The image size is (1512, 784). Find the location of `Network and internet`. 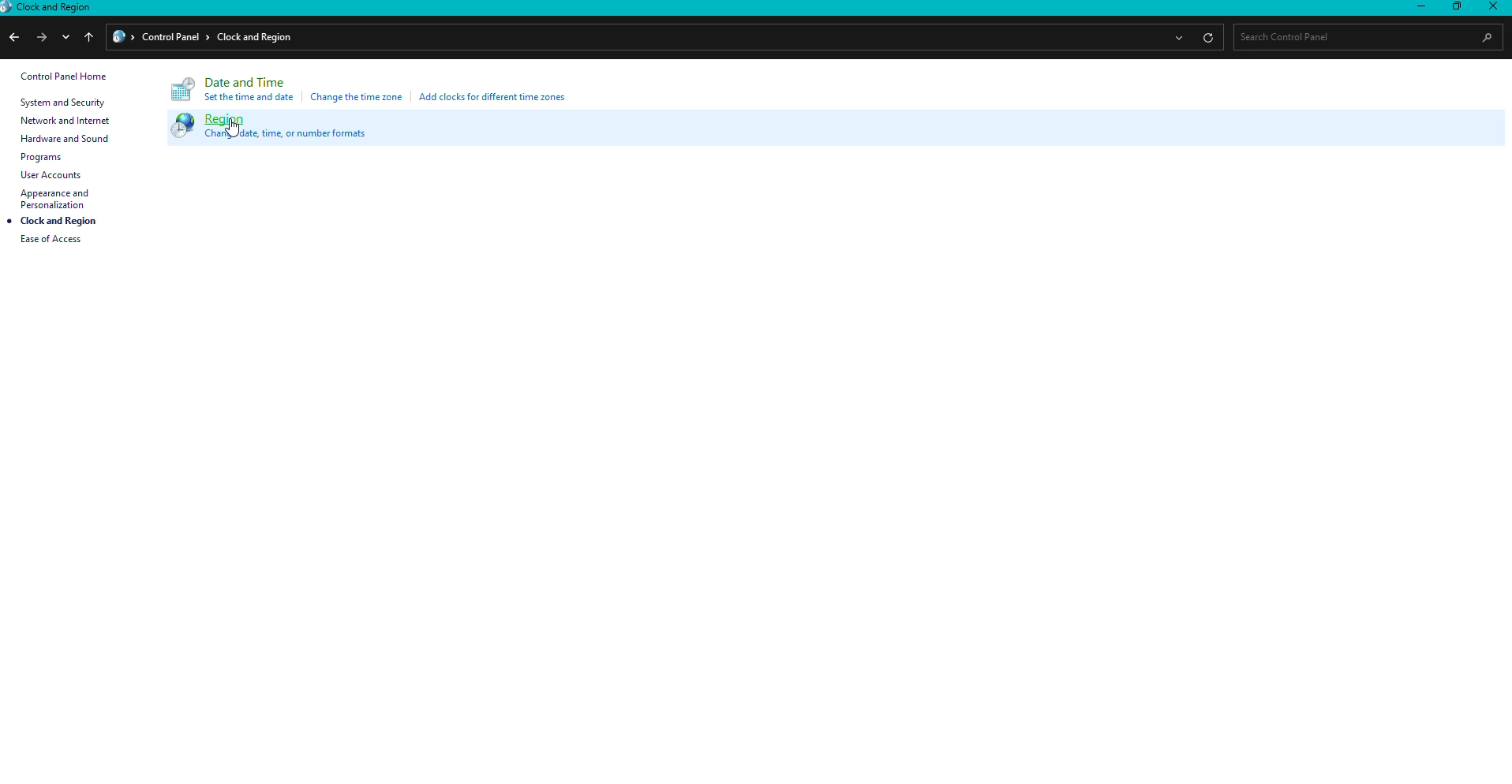

Network and internet is located at coordinates (65, 123).